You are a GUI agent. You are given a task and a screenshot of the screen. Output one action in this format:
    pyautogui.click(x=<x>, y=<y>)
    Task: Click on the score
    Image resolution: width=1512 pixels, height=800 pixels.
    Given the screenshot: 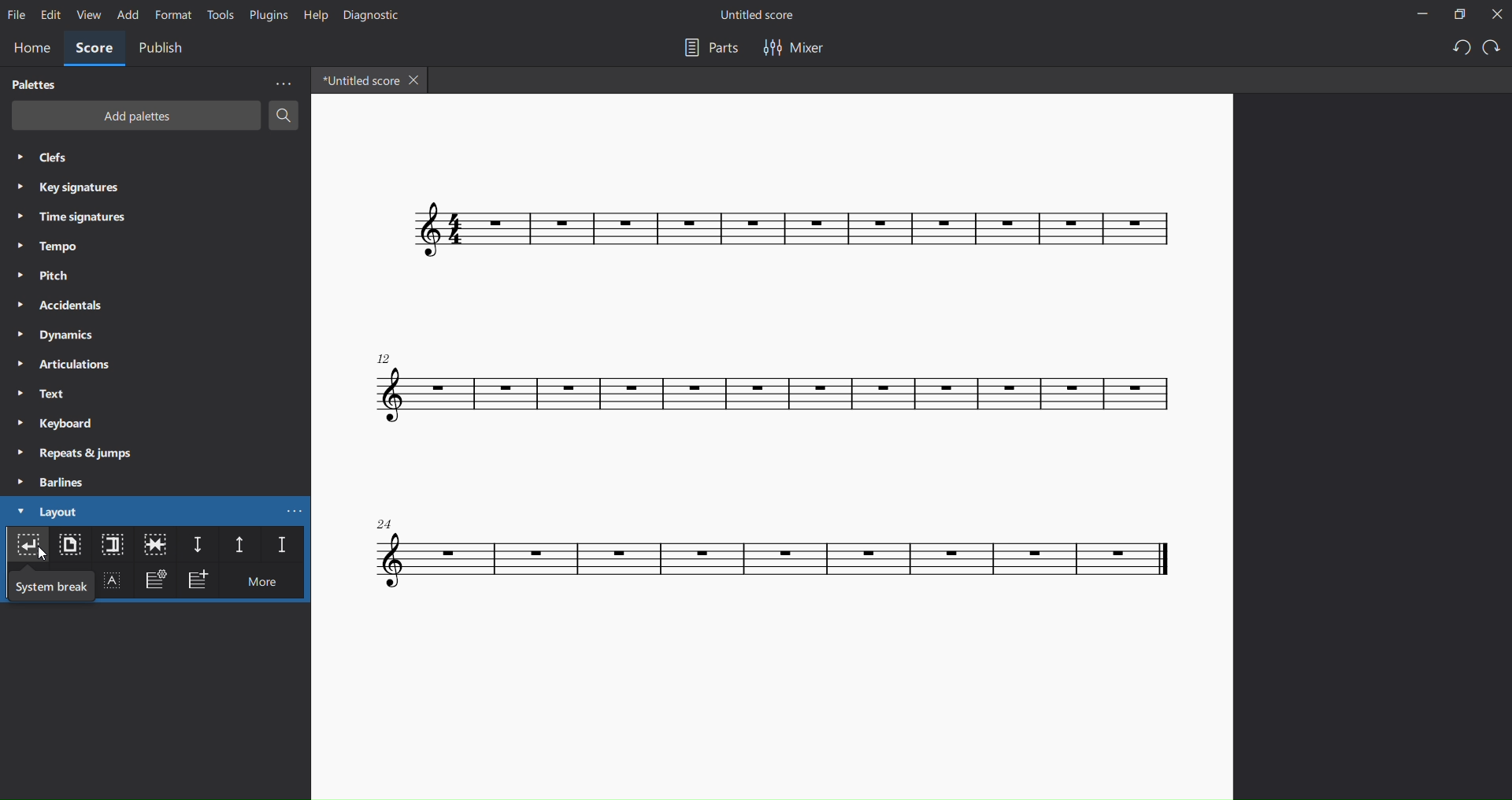 What is the action you would take?
    pyautogui.click(x=782, y=389)
    